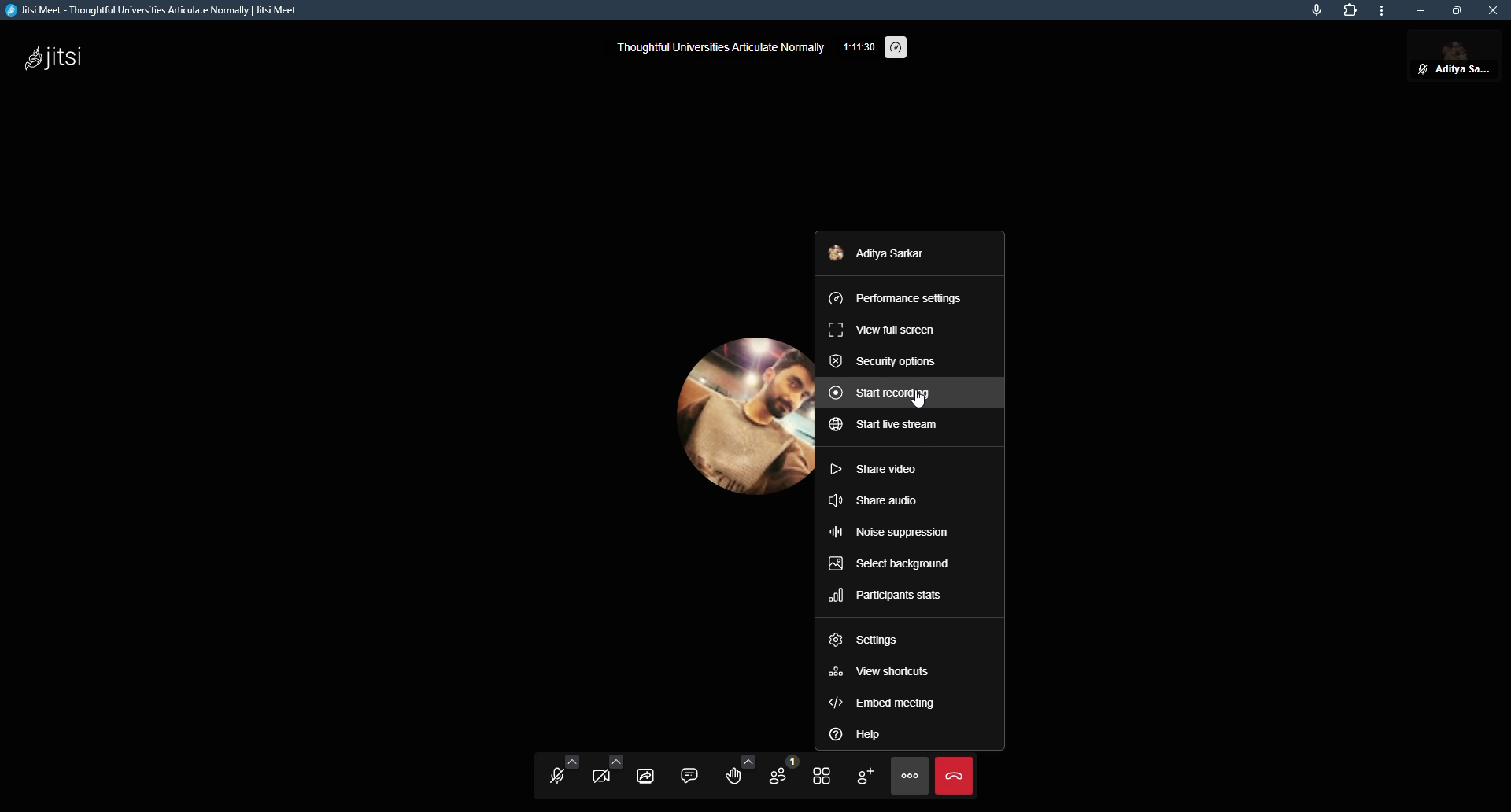 The height and width of the screenshot is (812, 1511). I want to click on security options, so click(886, 360).